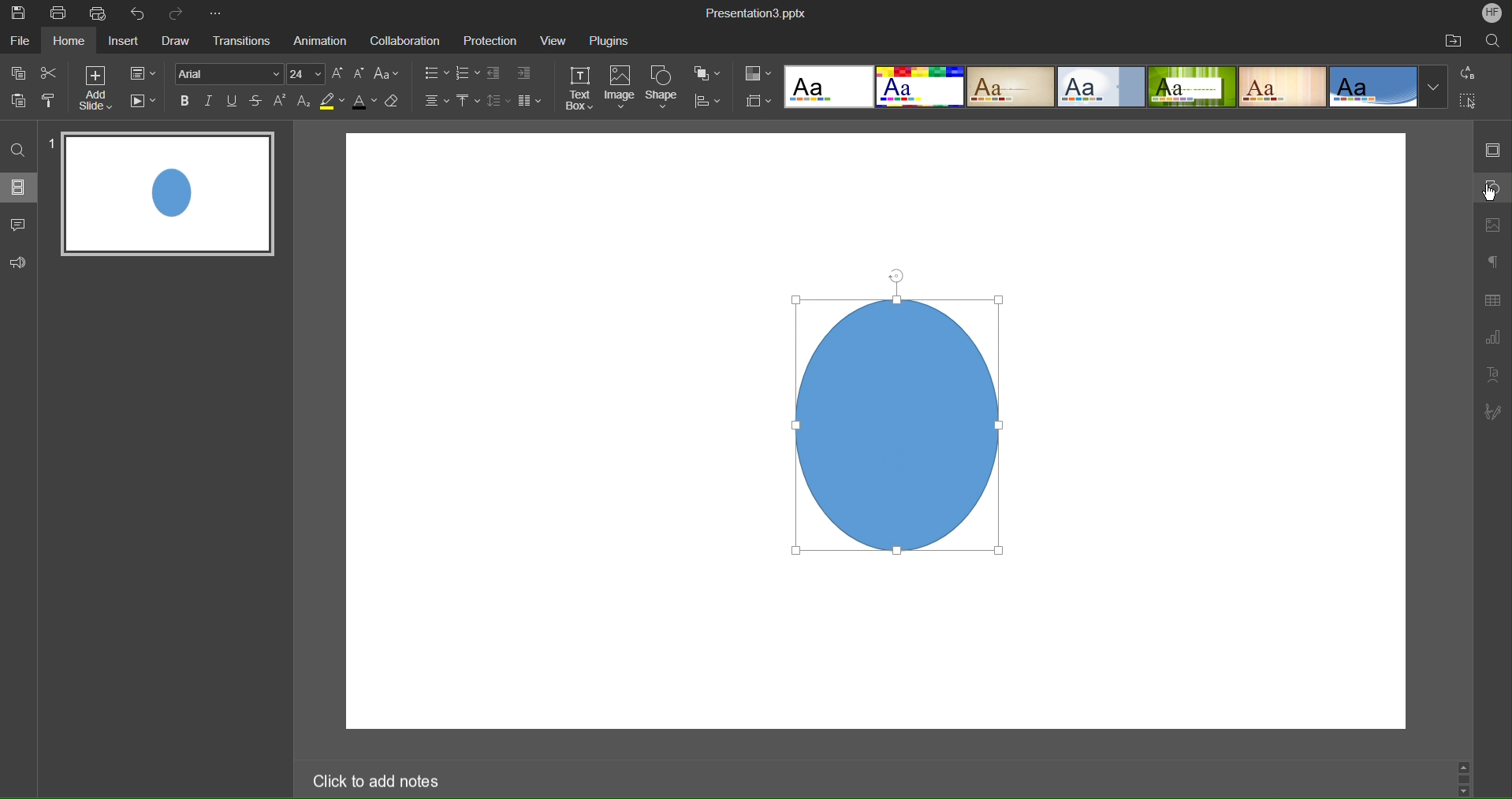 This screenshot has height=799, width=1512. I want to click on Non-Printing Characters, so click(1493, 263).